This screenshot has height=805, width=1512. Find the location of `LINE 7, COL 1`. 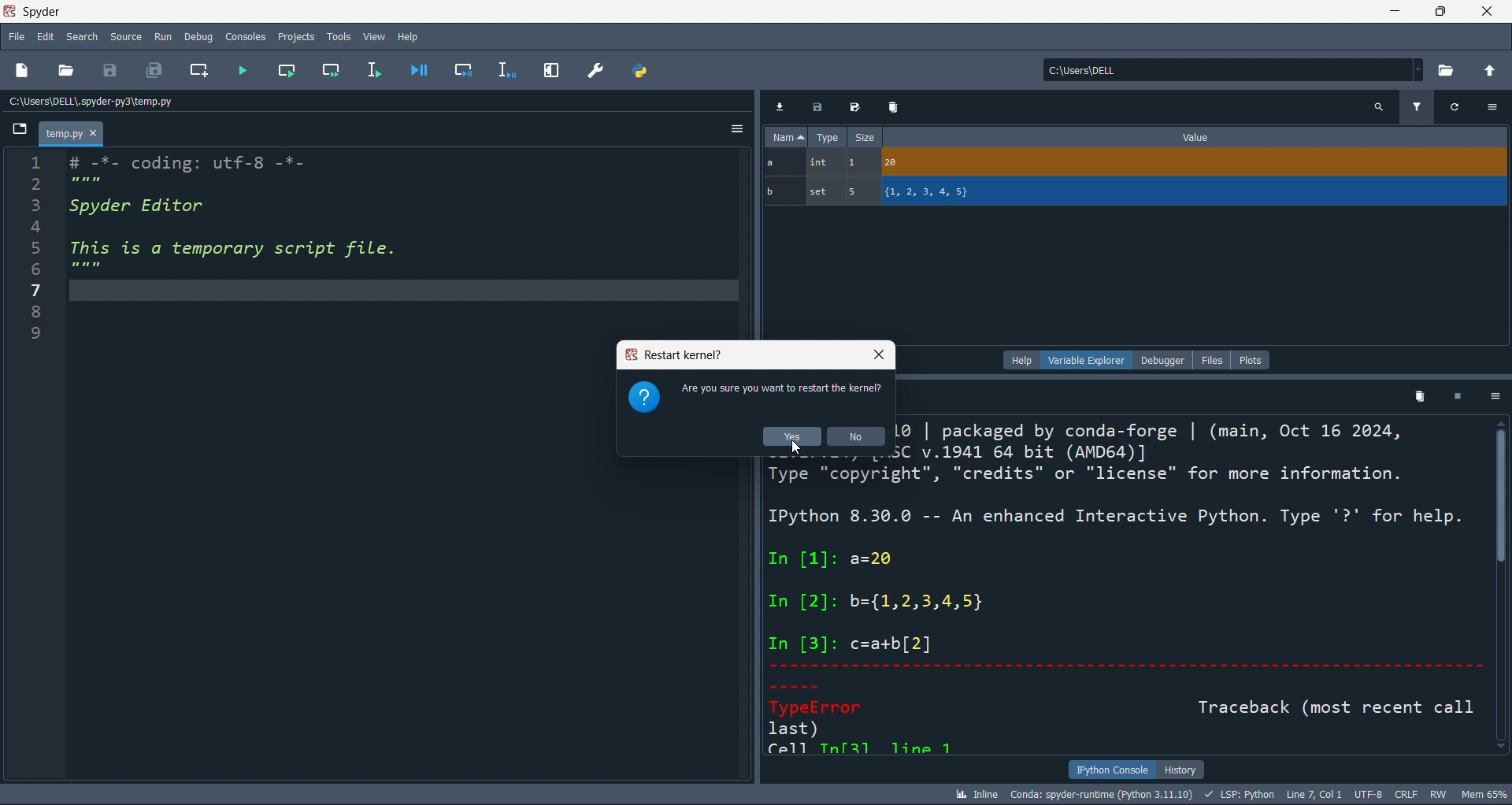

LINE 7, COL 1 is located at coordinates (1317, 793).